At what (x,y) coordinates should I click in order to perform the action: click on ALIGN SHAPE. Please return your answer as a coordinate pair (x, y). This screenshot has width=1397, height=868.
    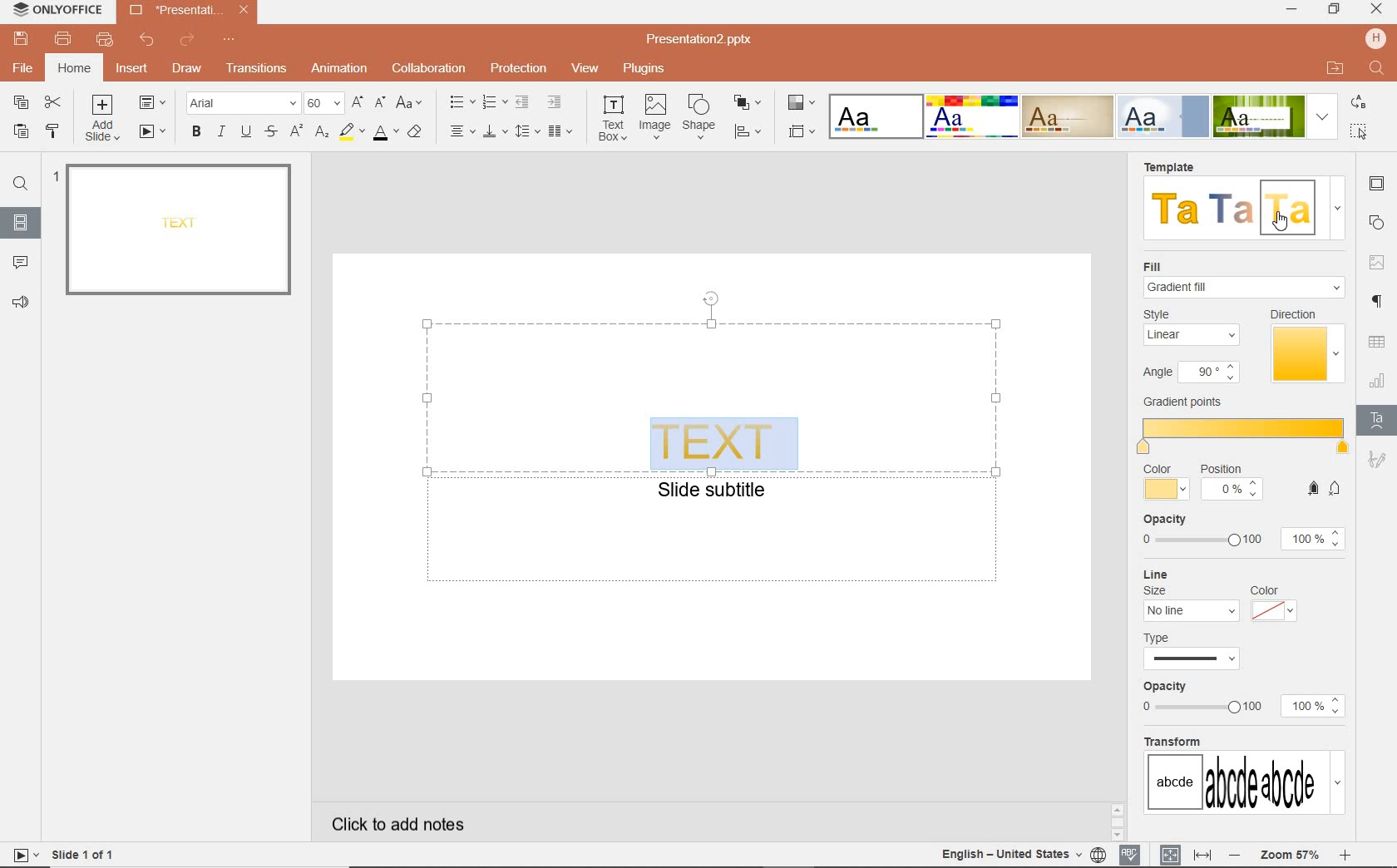
    Looking at the image, I should click on (753, 134).